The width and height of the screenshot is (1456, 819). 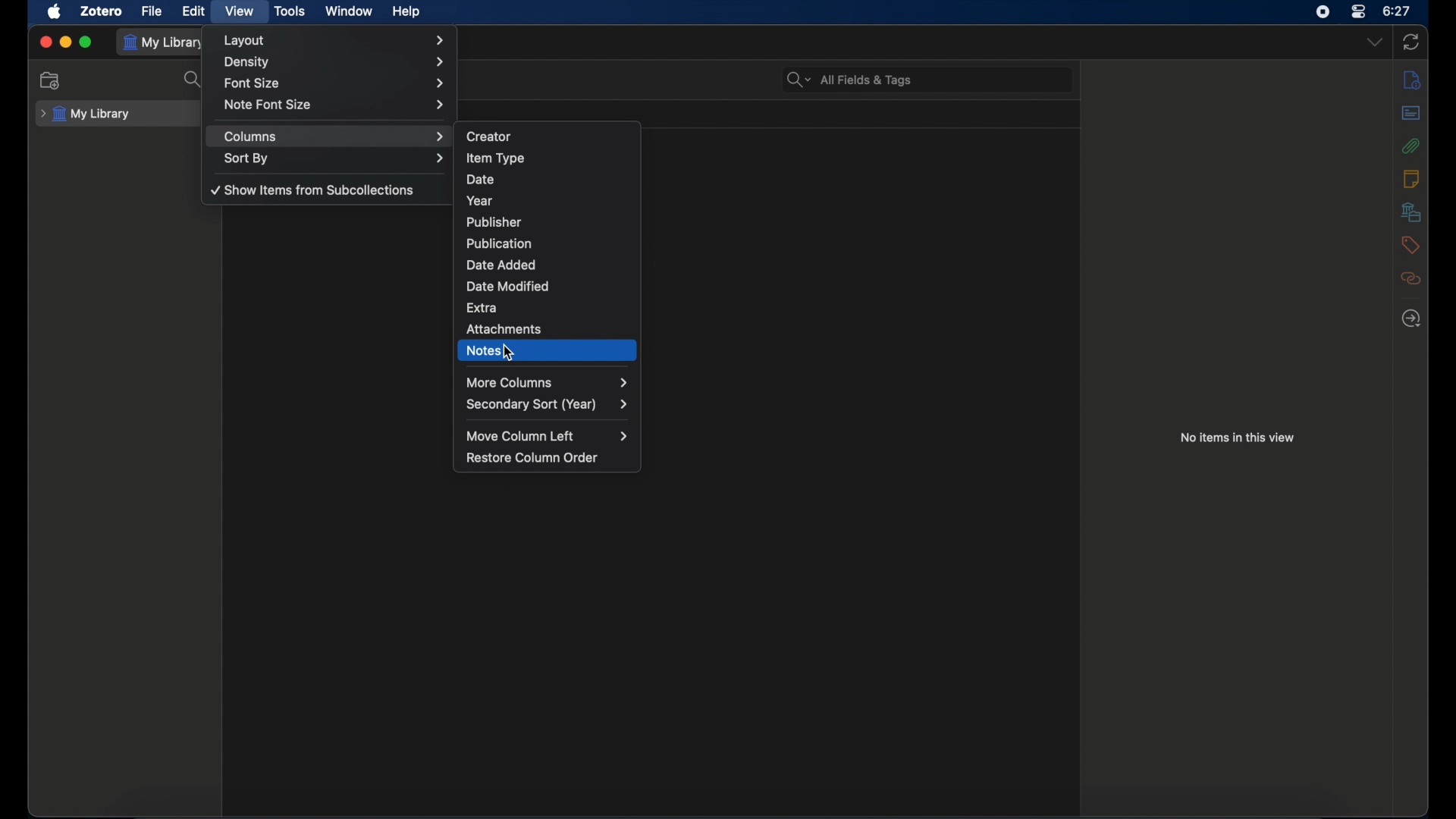 I want to click on related, so click(x=1410, y=278).